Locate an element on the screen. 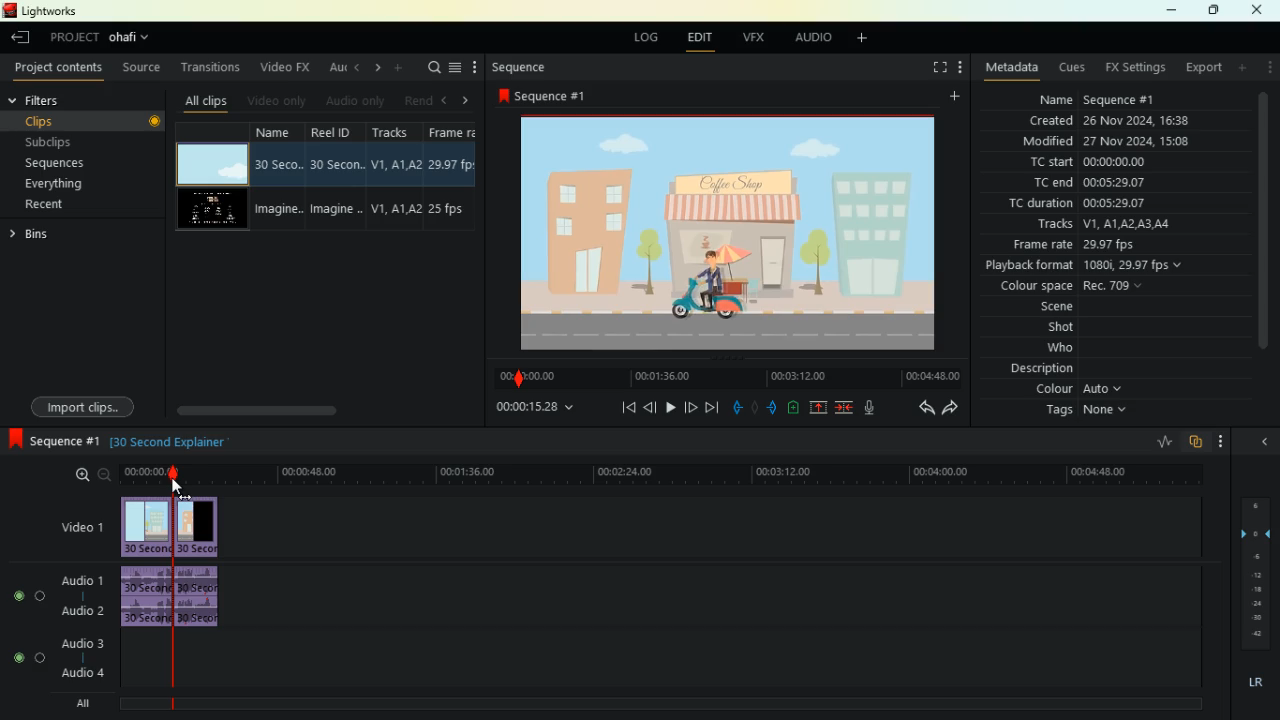 This screenshot has height=720, width=1280. frame rate is located at coordinates (1038, 245).